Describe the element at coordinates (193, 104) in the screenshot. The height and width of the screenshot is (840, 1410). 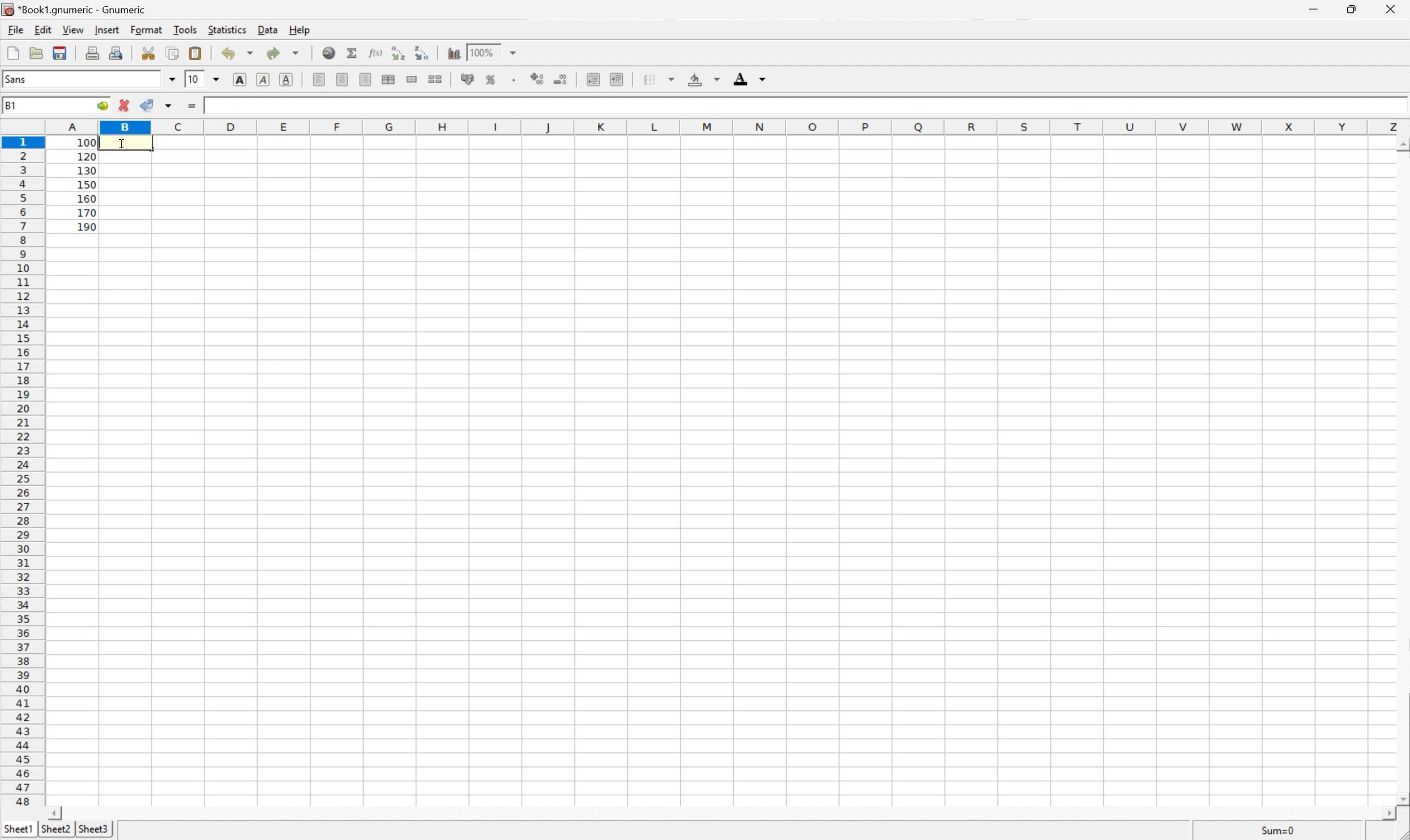
I see `Enter formula` at that location.